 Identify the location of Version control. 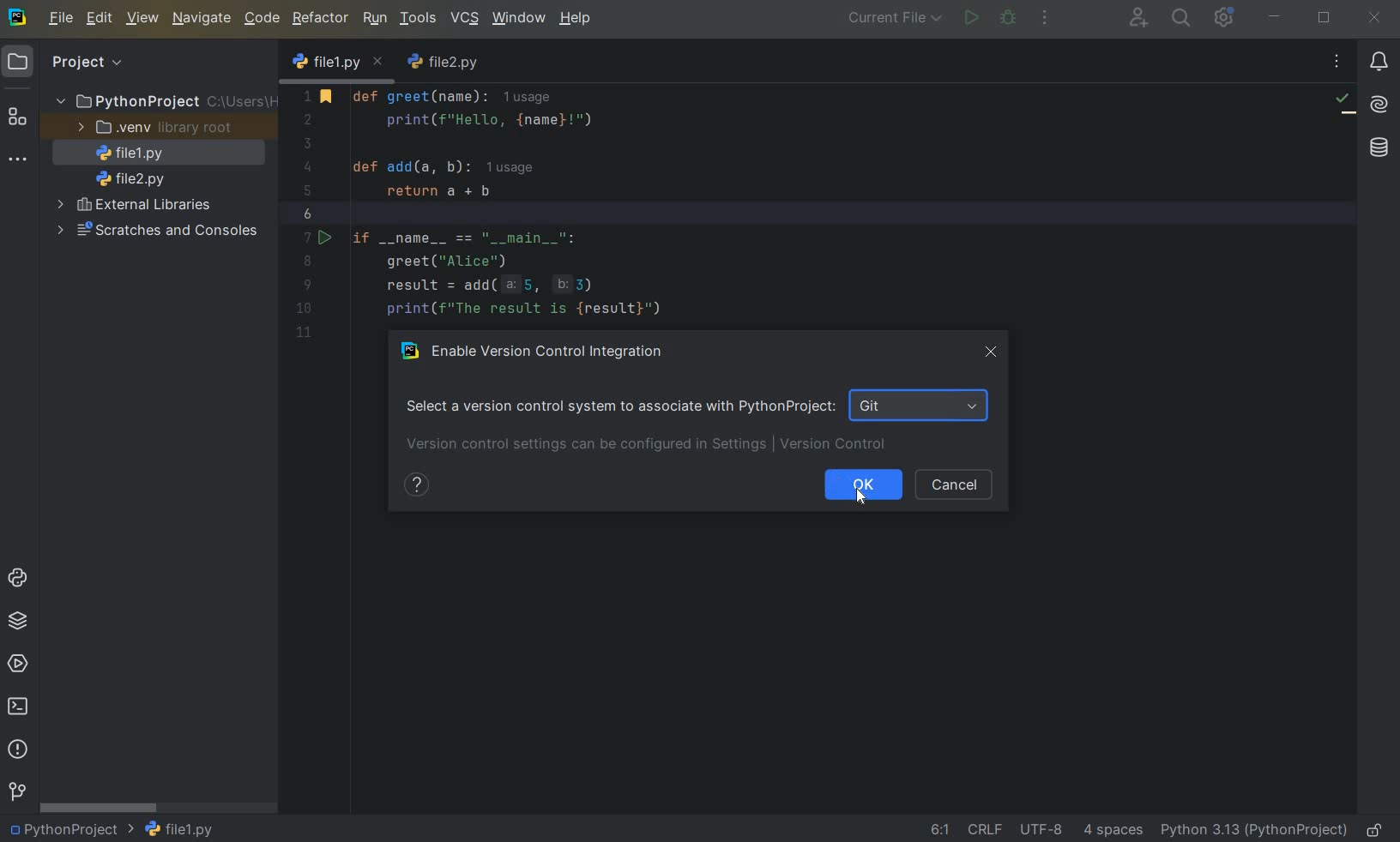
(16, 791).